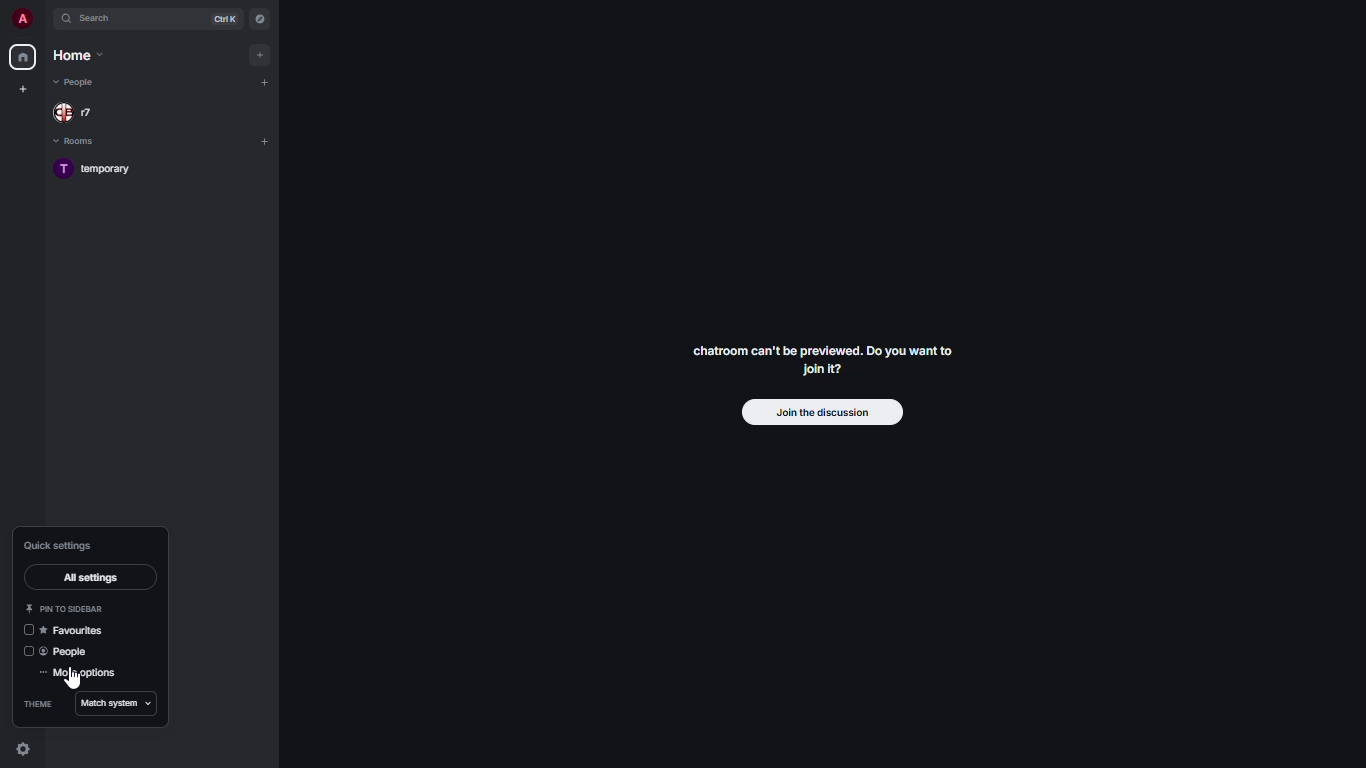 The image size is (1366, 768). I want to click on match system, so click(118, 704).